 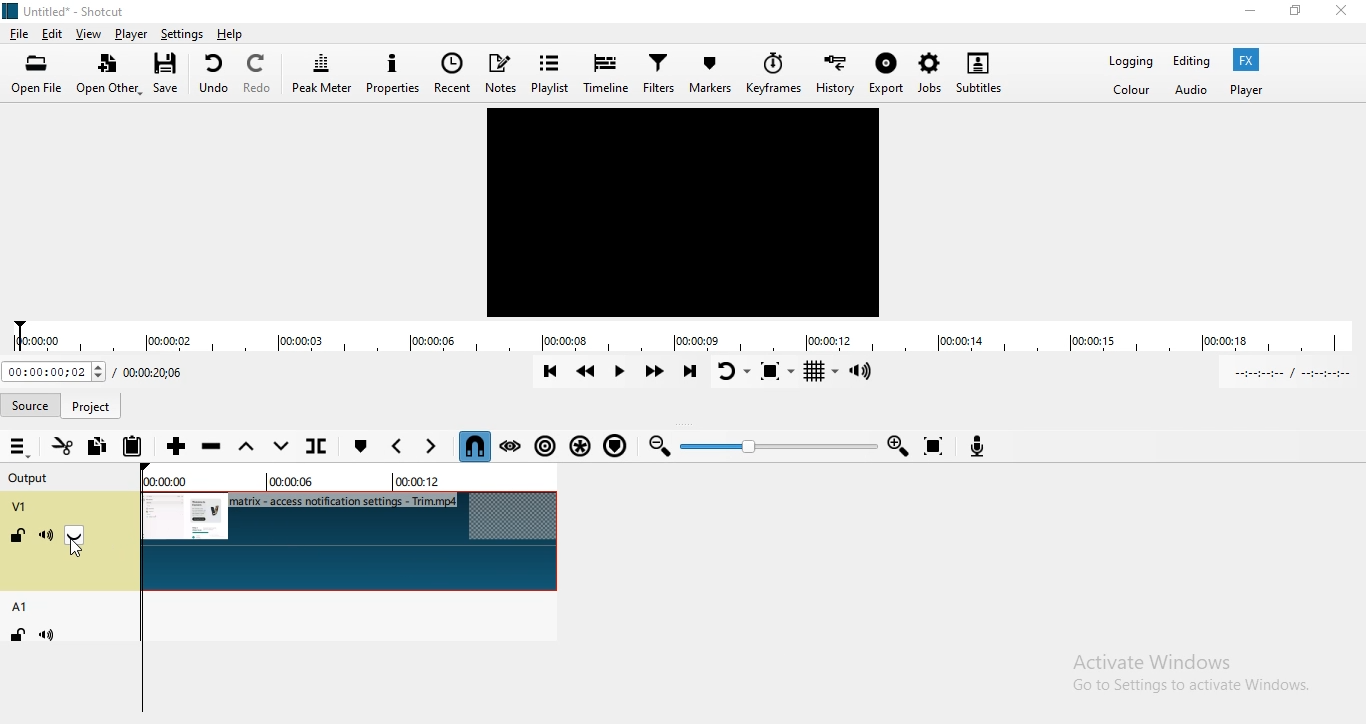 What do you see at coordinates (617, 448) in the screenshot?
I see `Ripple markers` at bounding box center [617, 448].